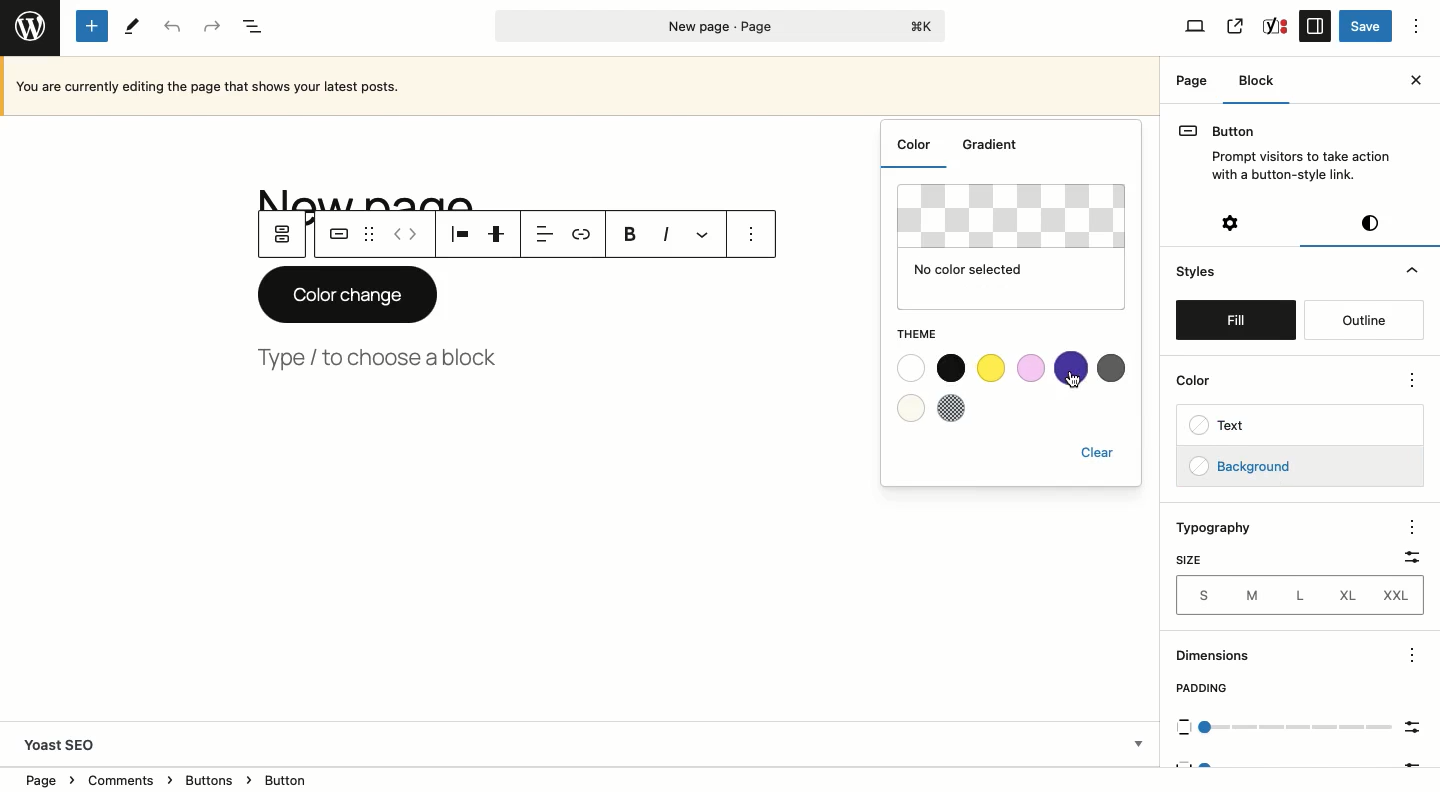  I want to click on XXL, so click(1401, 592).